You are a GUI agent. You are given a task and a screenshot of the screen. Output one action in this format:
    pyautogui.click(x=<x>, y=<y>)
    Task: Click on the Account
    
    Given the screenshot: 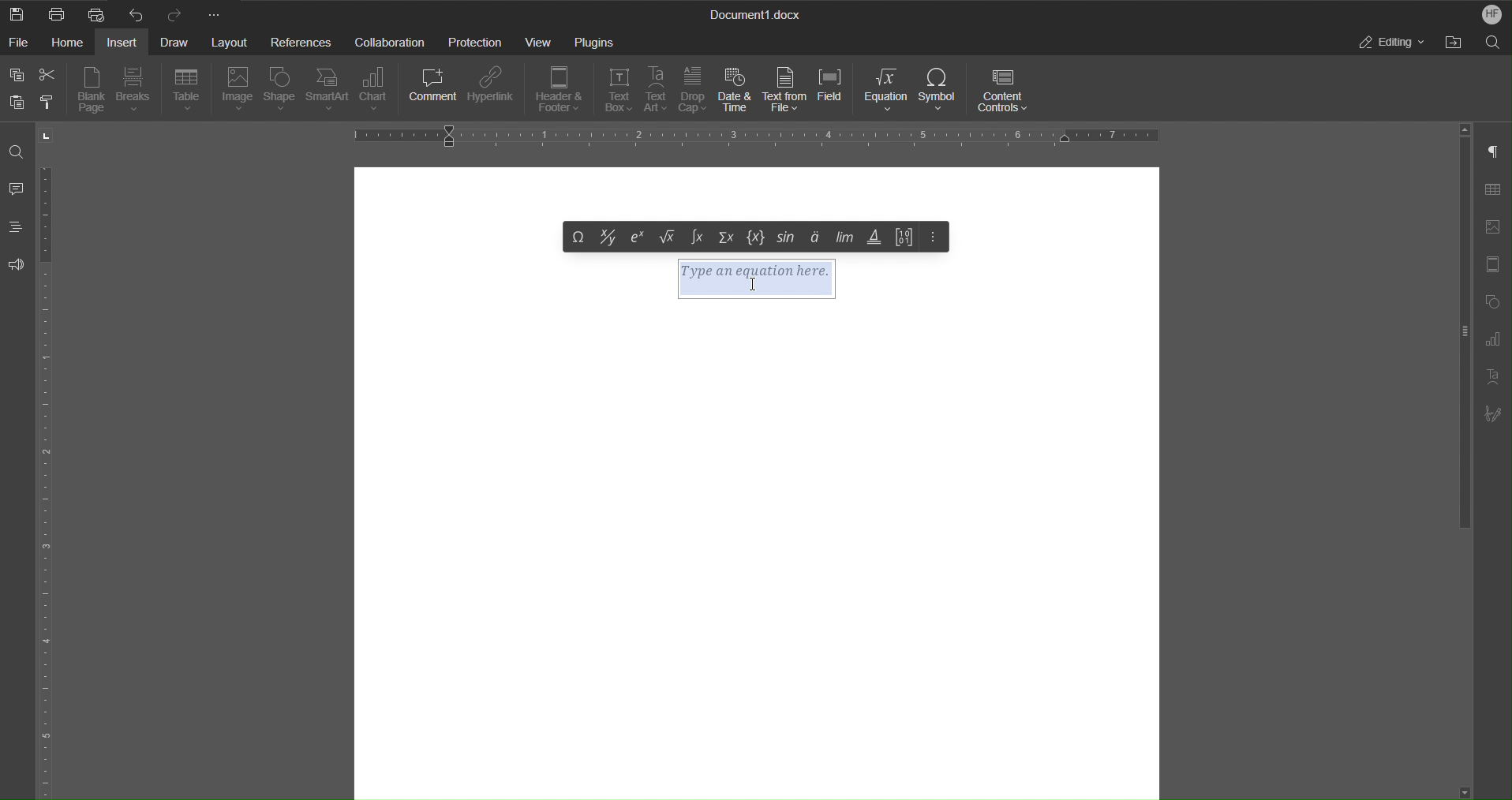 What is the action you would take?
    pyautogui.click(x=1490, y=13)
    